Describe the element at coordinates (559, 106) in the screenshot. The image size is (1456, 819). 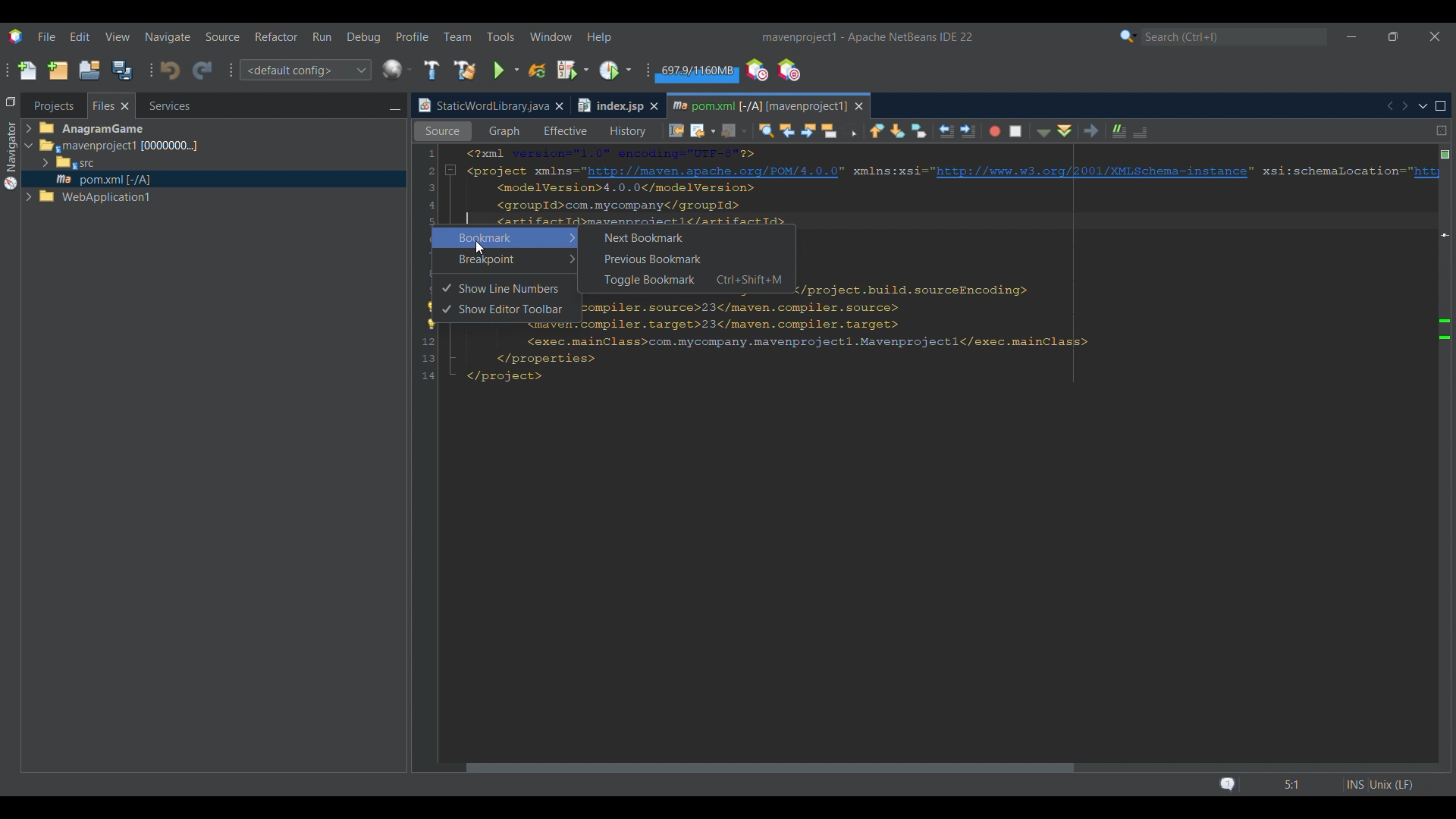
I see `Close tab` at that location.